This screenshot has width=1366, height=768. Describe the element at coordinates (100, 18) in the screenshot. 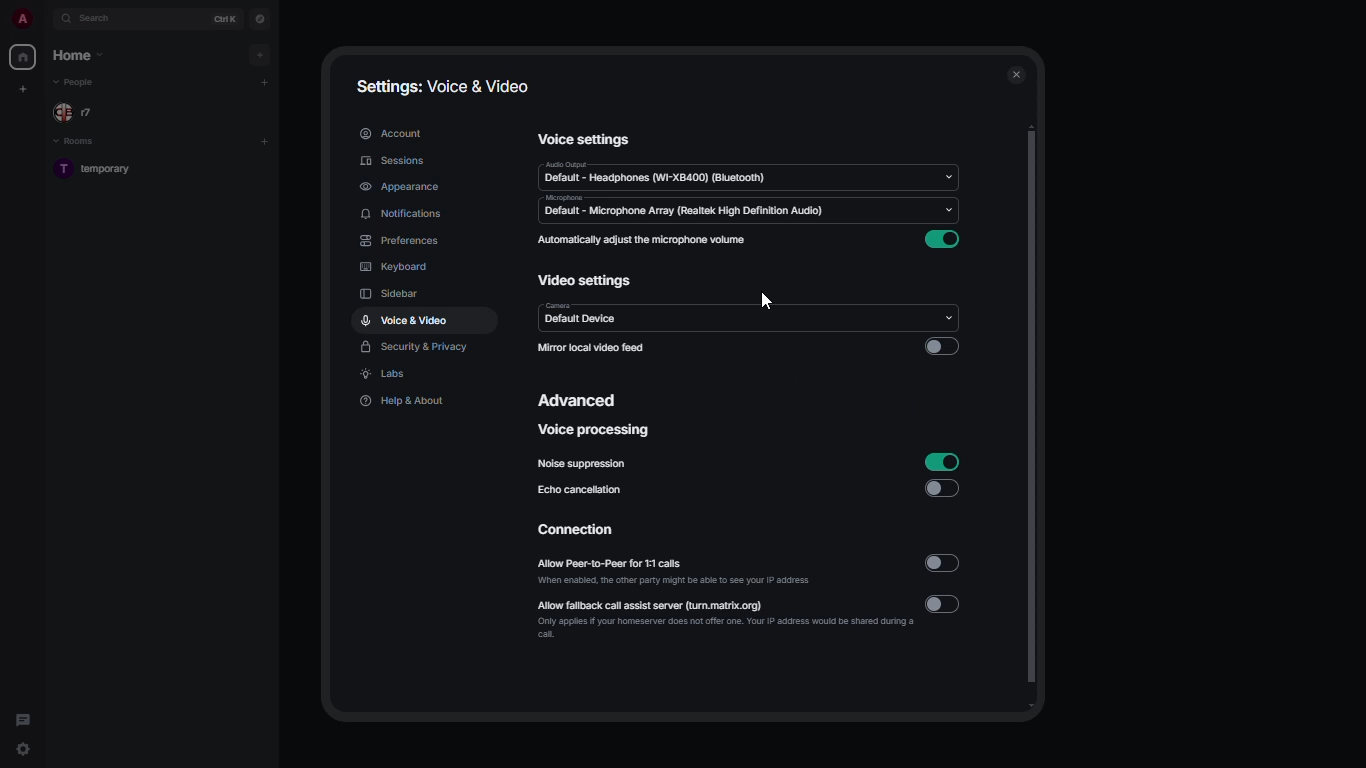

I see `search` at that location.